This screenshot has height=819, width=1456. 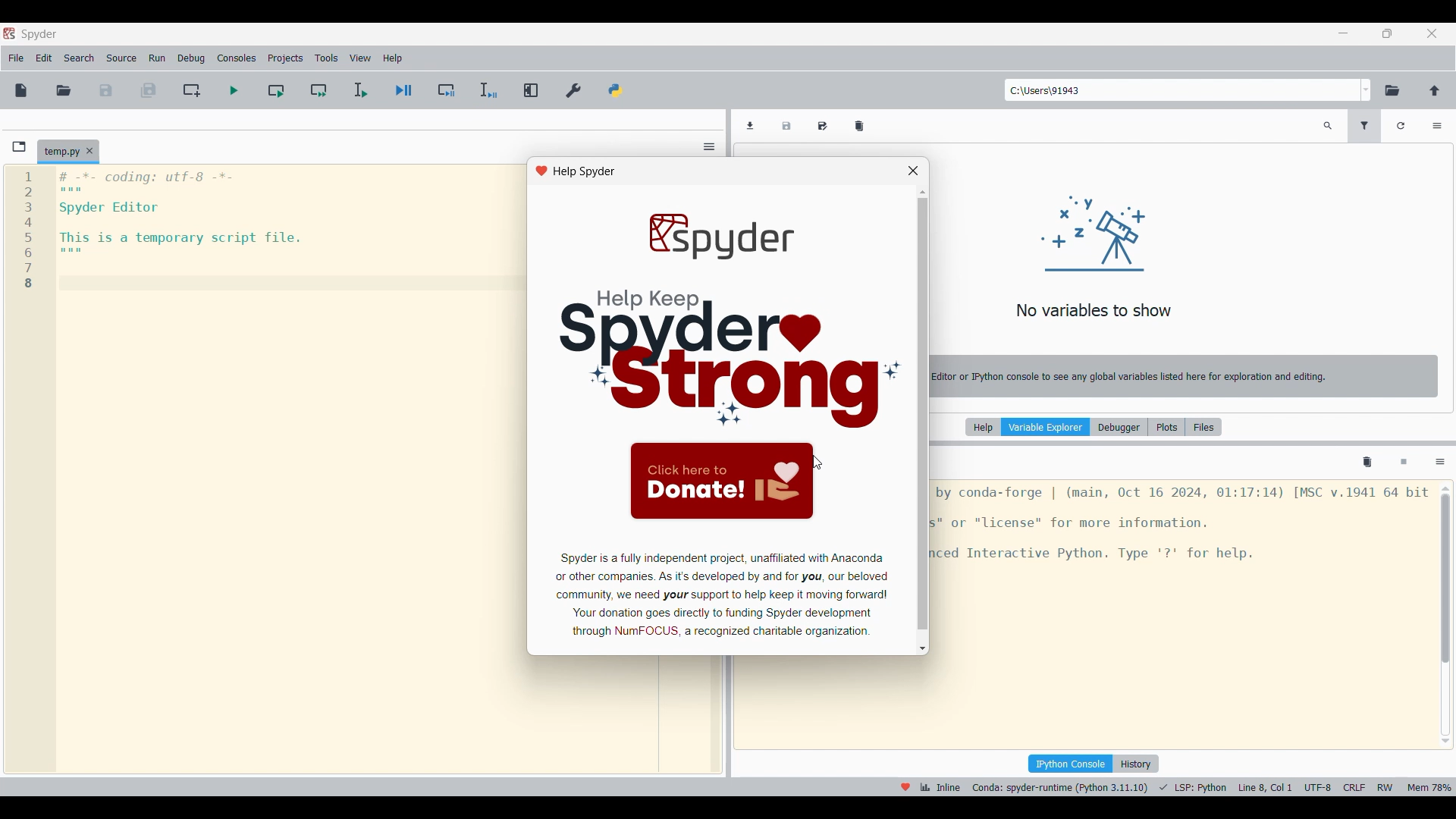 What do you see at coordinates (191, 89) in the screenshot?
I see `Create new cell at current line` at bounding box center [191, 89].